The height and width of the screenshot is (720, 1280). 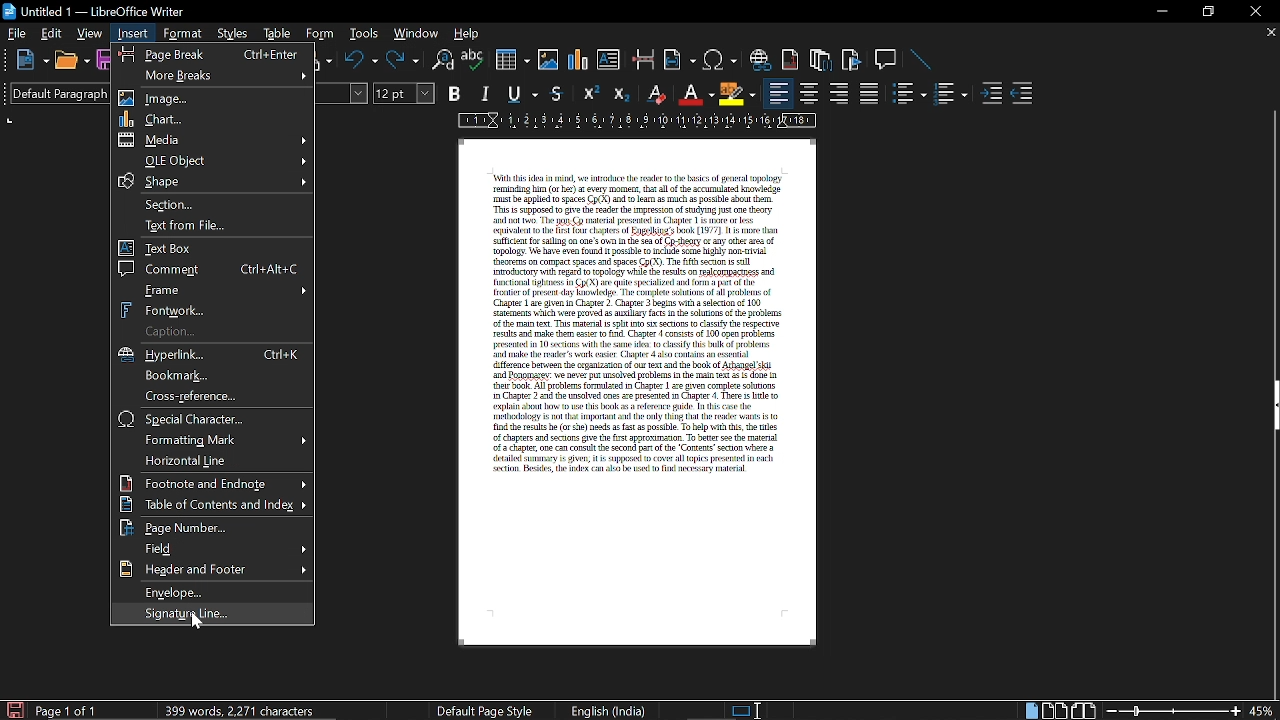 What do you see at coordinates (51, 33) in the screenshot?
I see `edit` at bounding box center [51, 33].